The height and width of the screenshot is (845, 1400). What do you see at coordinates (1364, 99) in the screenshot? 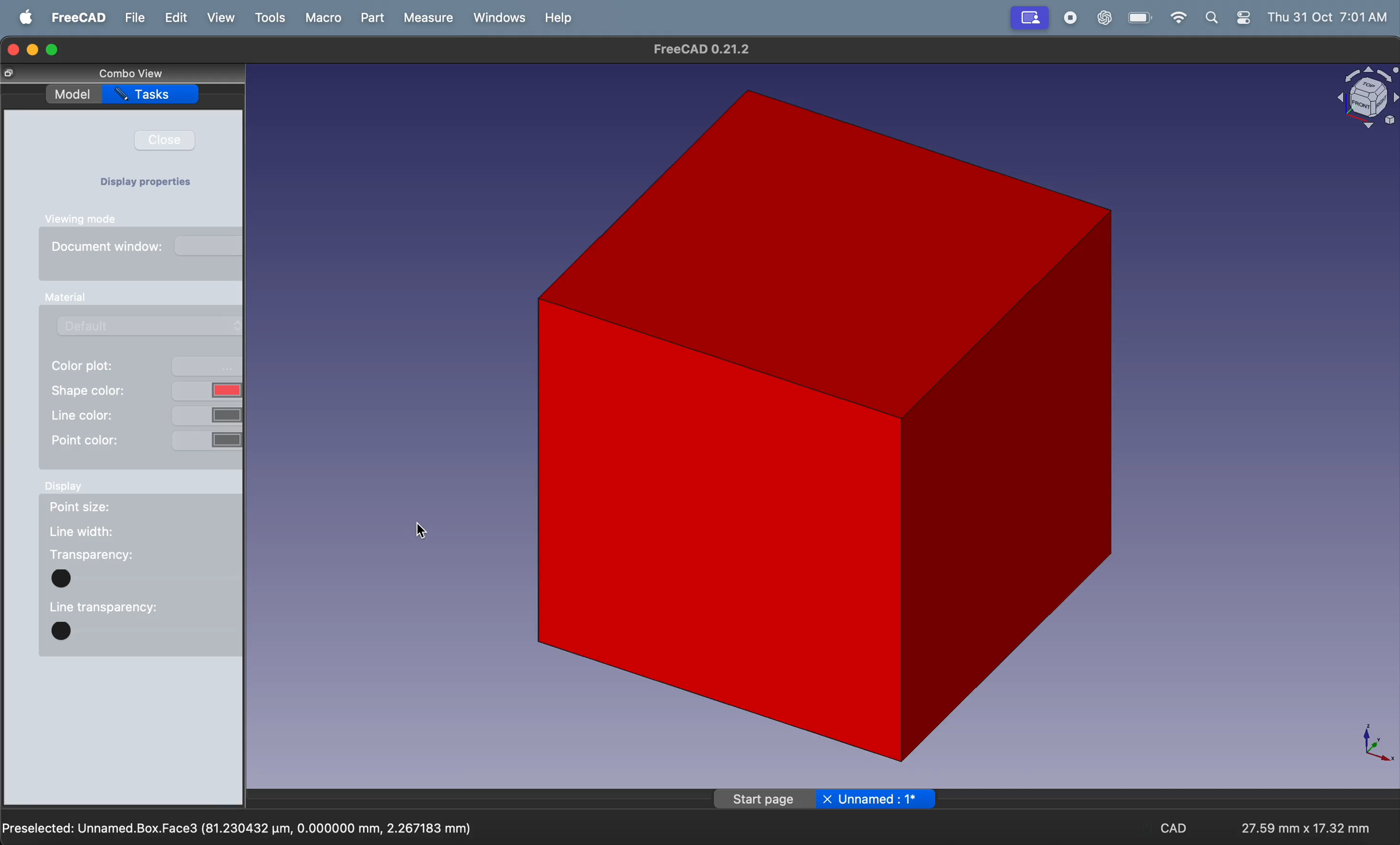
I see `object view` at bounding box center [1364, 99].